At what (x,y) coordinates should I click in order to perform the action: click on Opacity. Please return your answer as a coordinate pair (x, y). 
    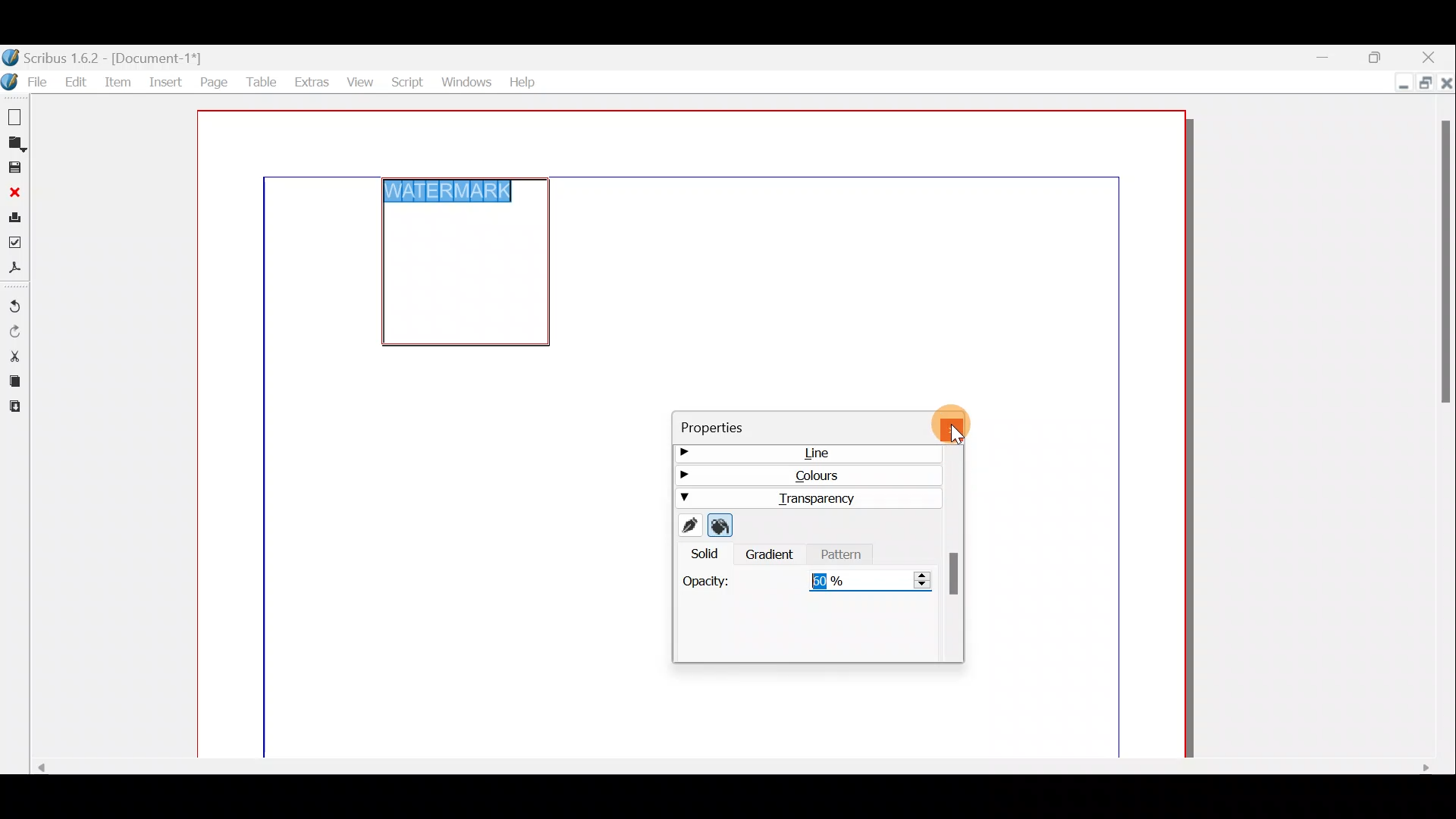
    Looking at the image, I should click on (709, 586).